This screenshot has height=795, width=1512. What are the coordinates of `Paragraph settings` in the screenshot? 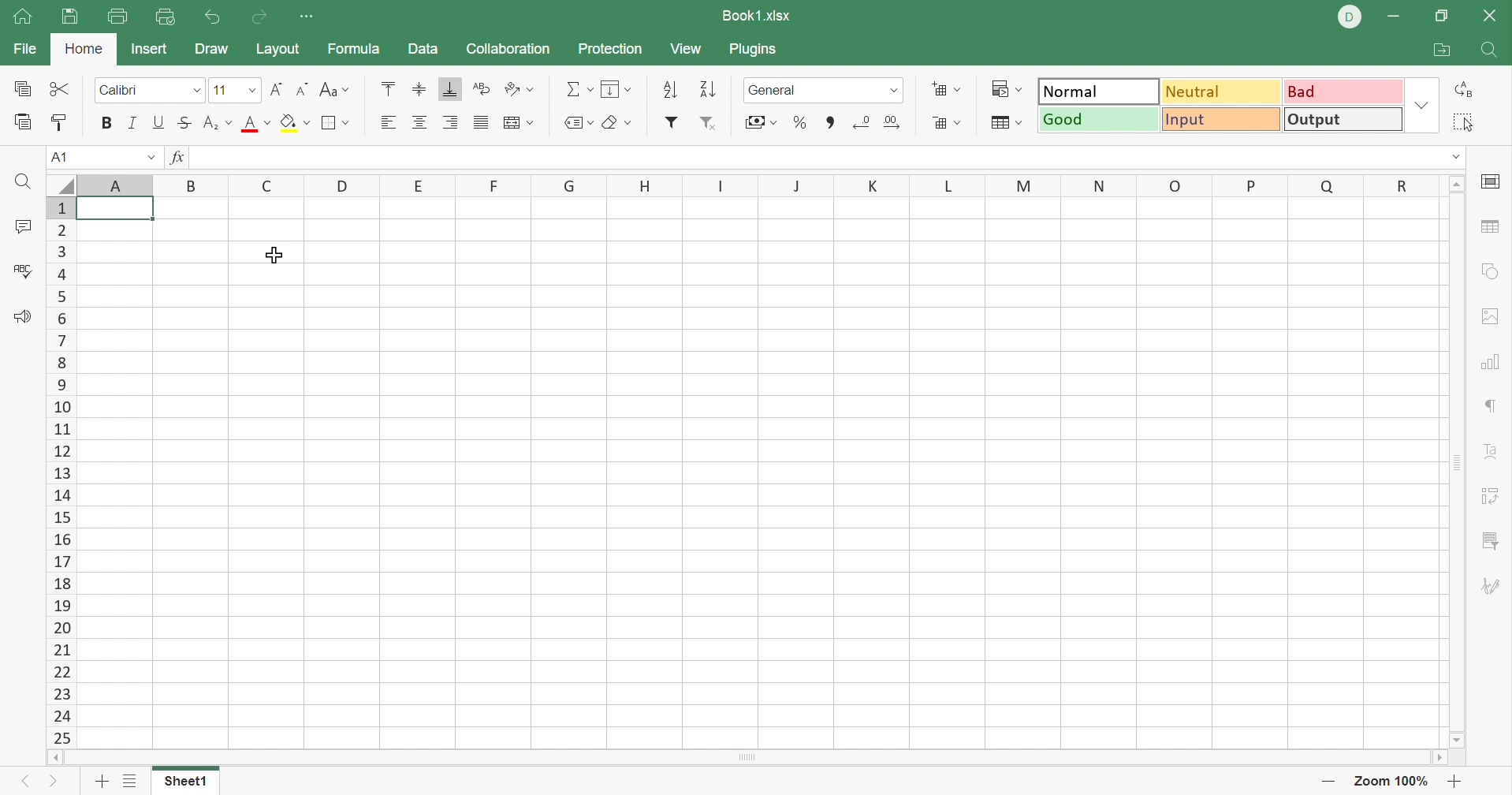 It's located at (1488, 405).